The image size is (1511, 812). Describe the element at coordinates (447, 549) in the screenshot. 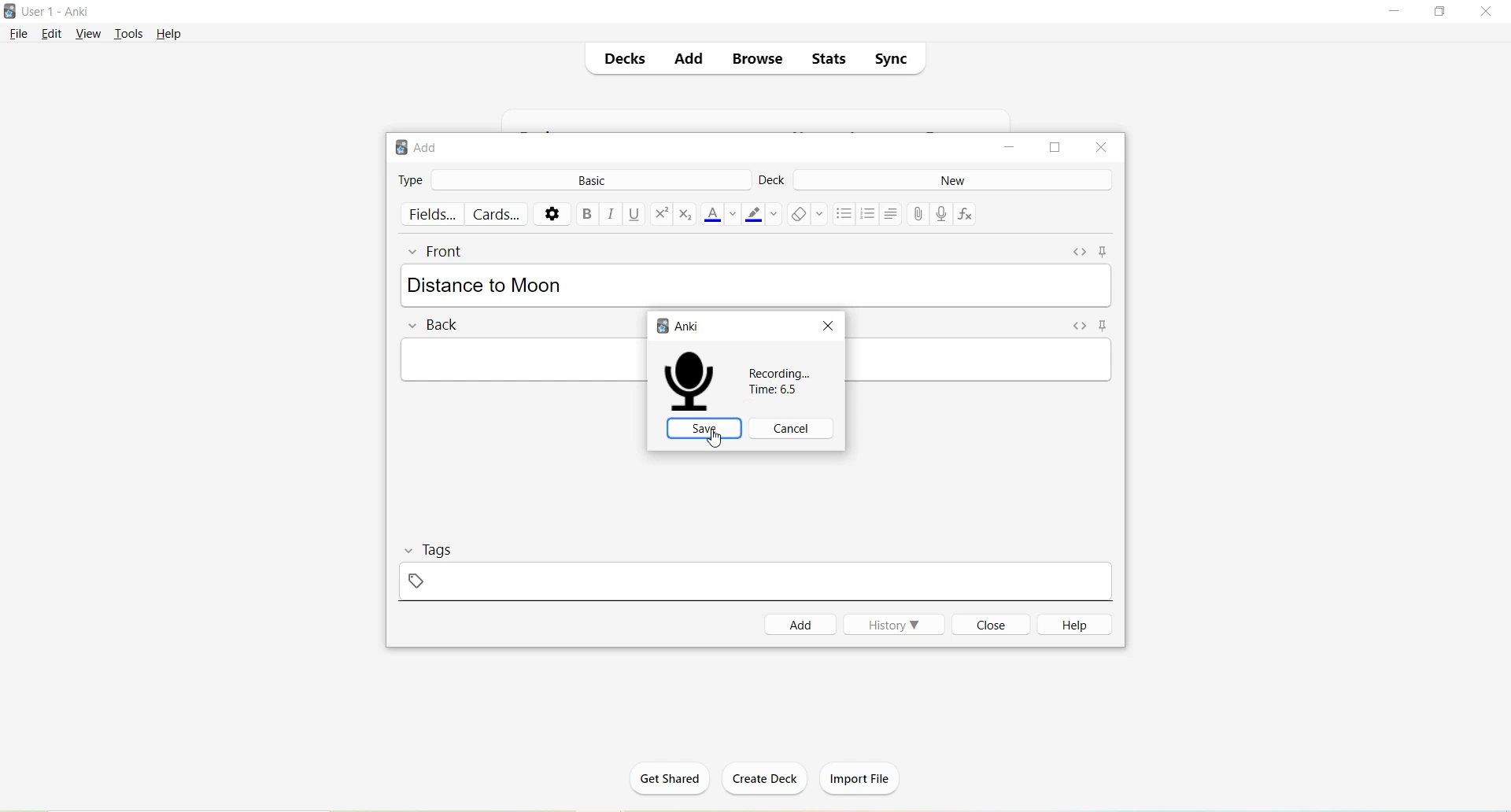

I see `Tags` at that location.